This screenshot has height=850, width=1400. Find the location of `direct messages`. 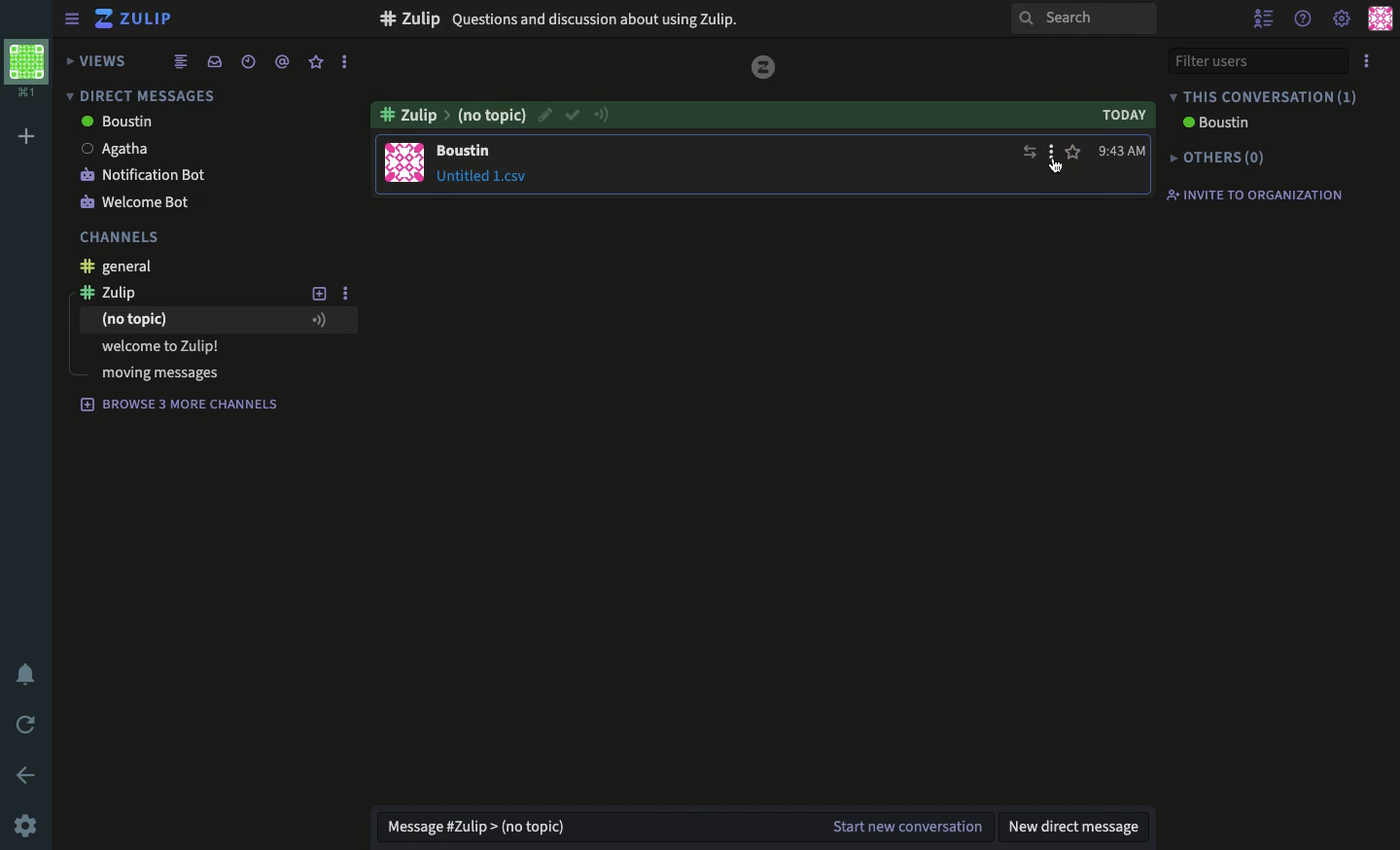

direct messages is located at coordinates (139, 95).